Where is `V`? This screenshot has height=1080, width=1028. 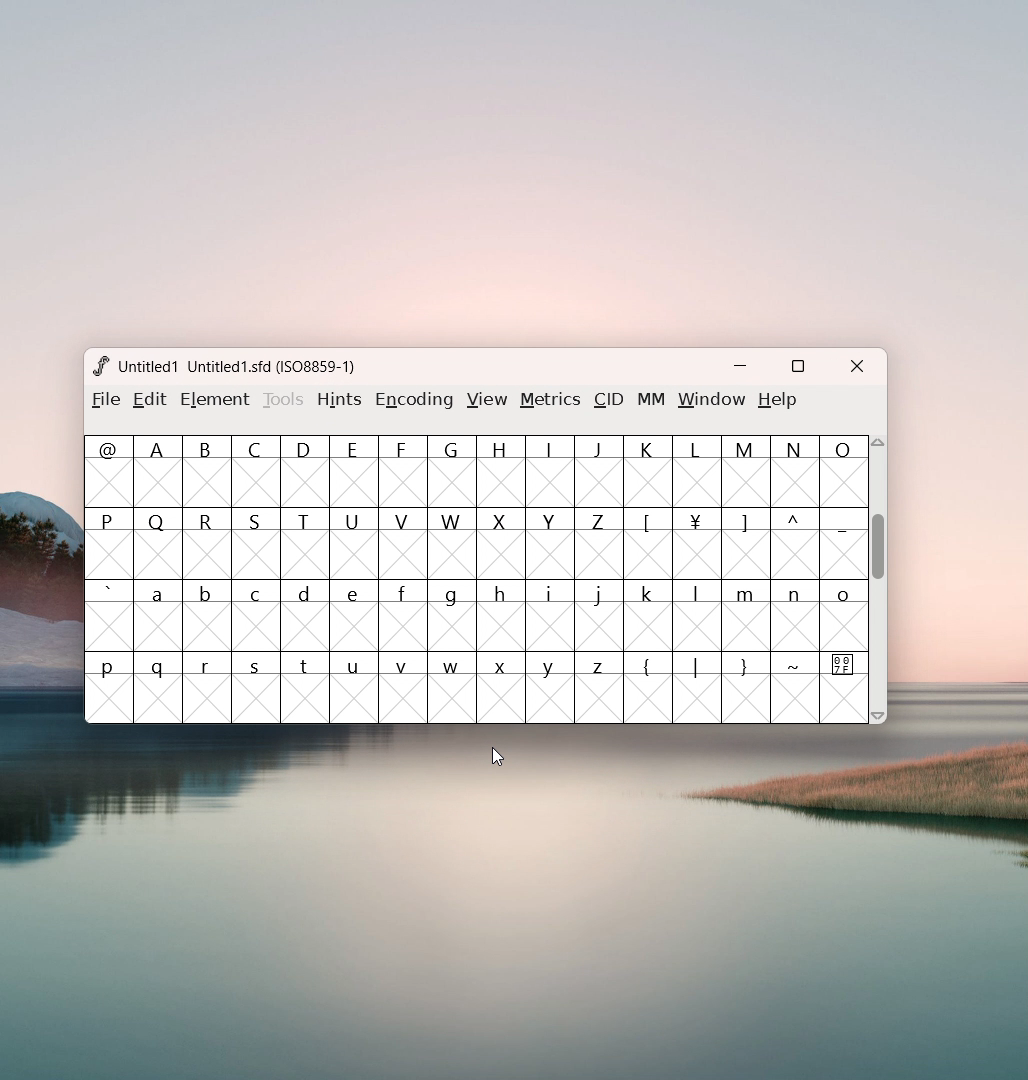 V is located at coordinates (403, 544).